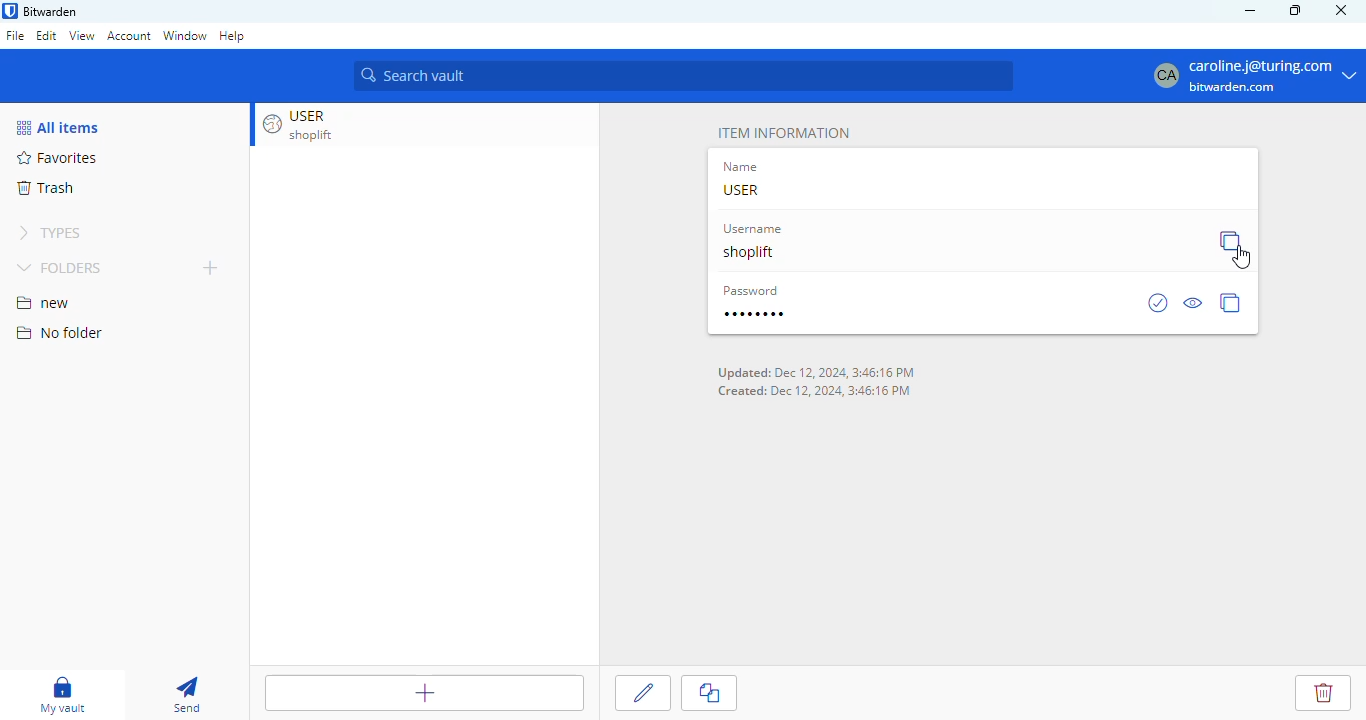 Image resolution: width=1366 pixels, height=720 pixels. What do you see at coordinates (784, 133) in the screenshot?
I see `item information` at bounding box center [784, 133].